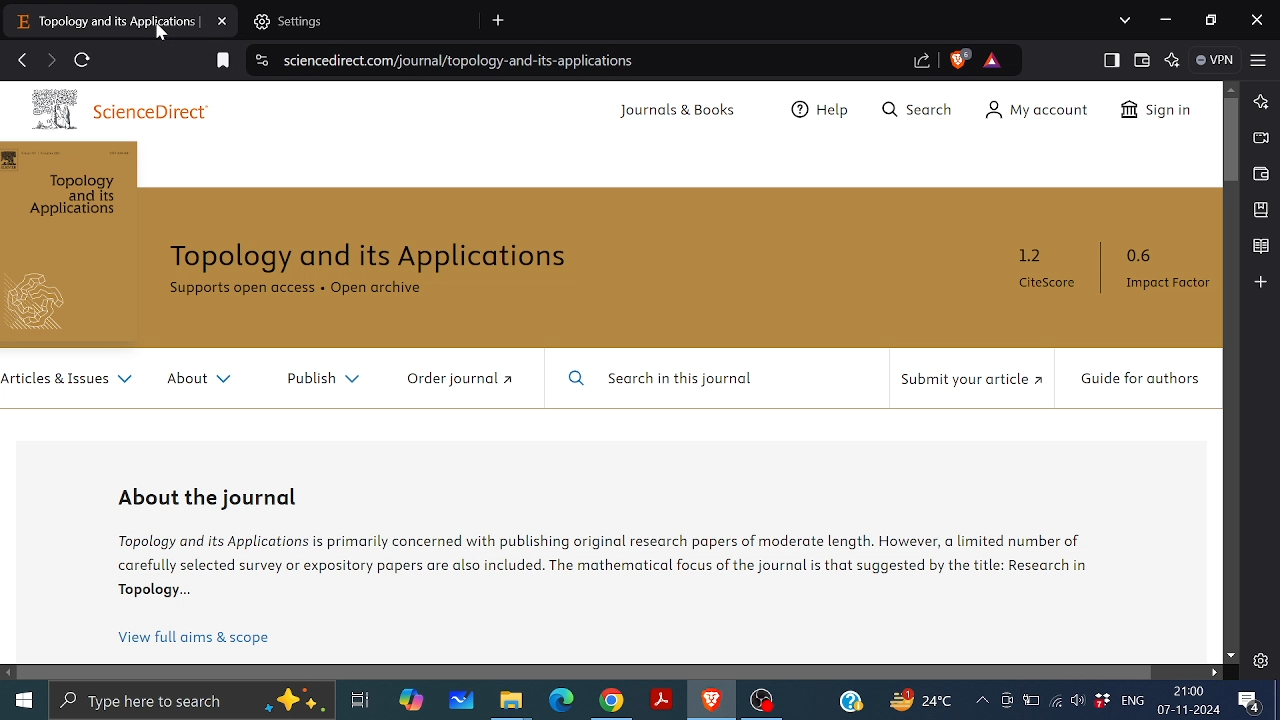 The height and width of the screenshot is (720, 1280). What do you see at coordinates (1112, 60) in the screenshot?
I see `Show sidebar` at bounding box center [1112, 60].